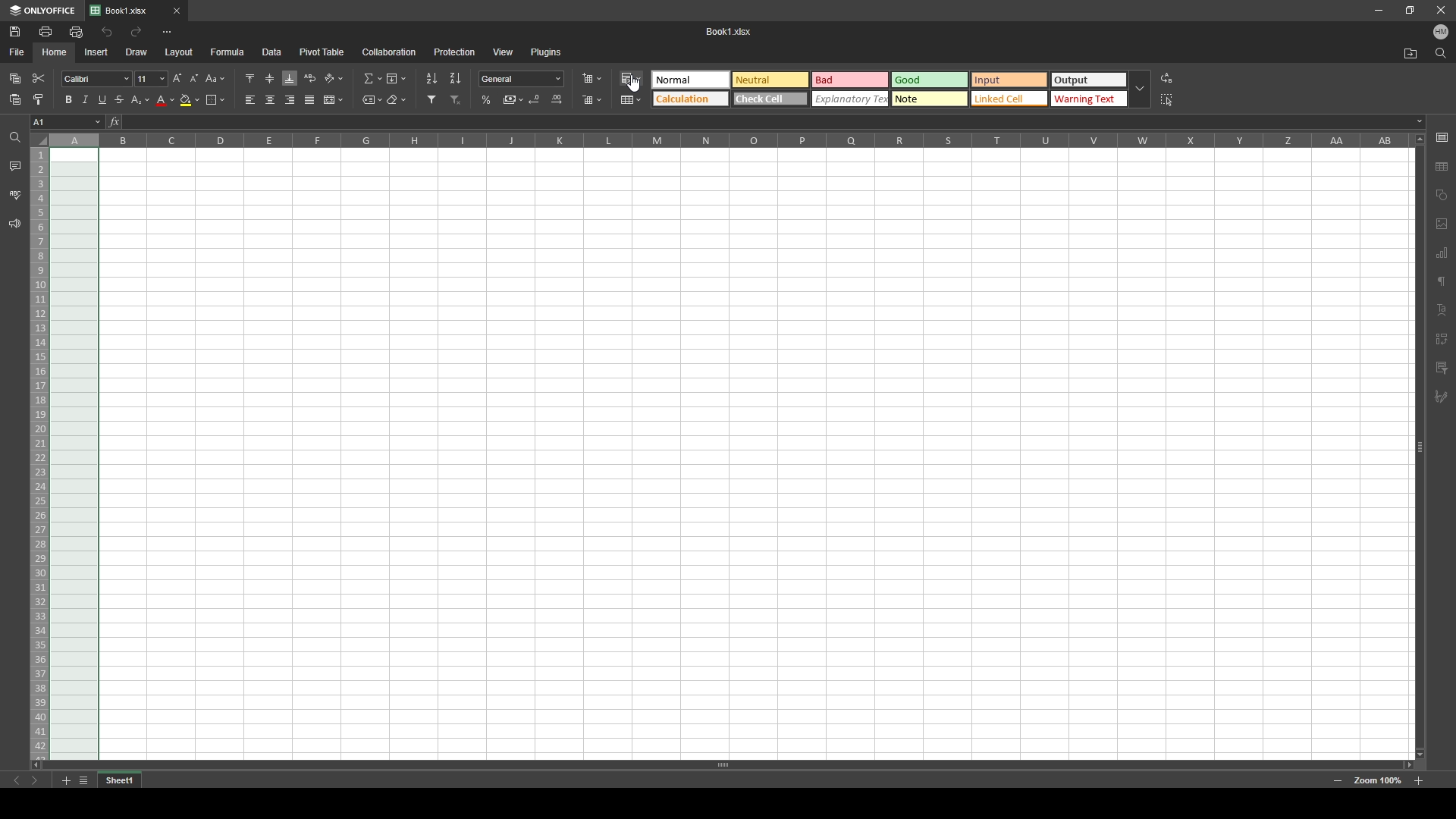 The image size is (1456, 819). I want to click on redo, so click(136, 31).